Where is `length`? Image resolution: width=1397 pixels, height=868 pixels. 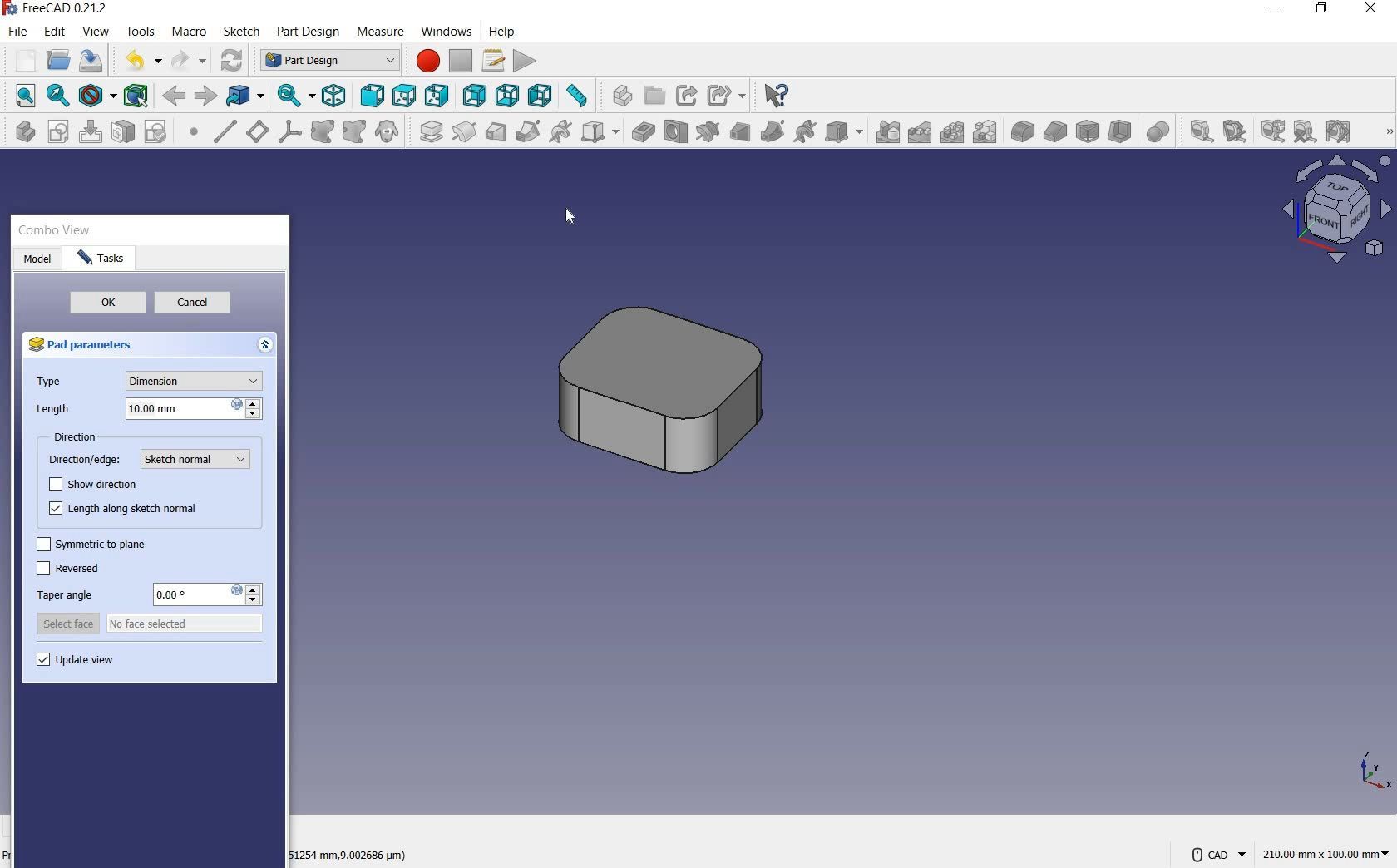 length is located at coordinates (147, 409).